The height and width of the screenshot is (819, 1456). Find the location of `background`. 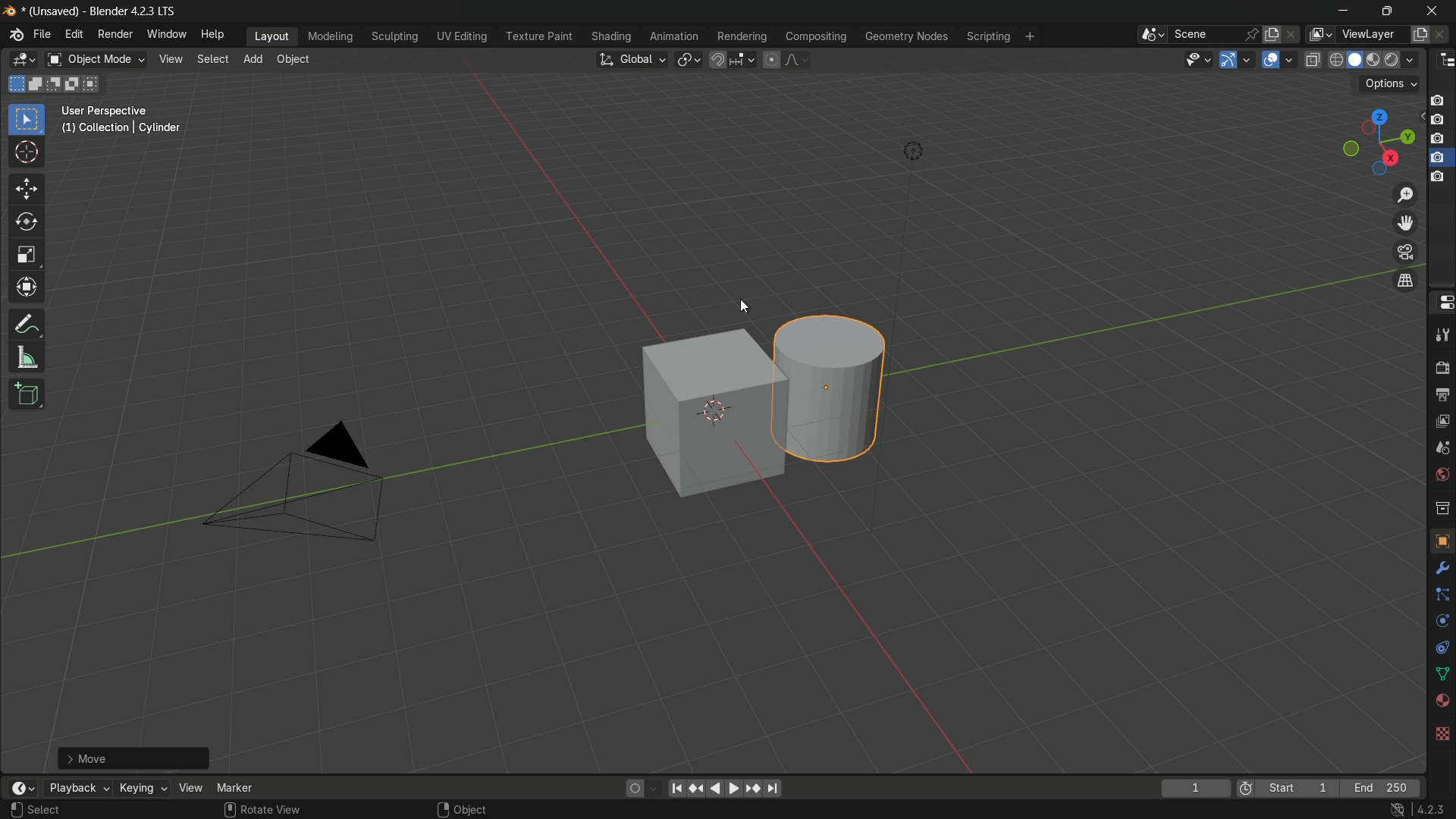

background is located at coordinates (1442, 735).